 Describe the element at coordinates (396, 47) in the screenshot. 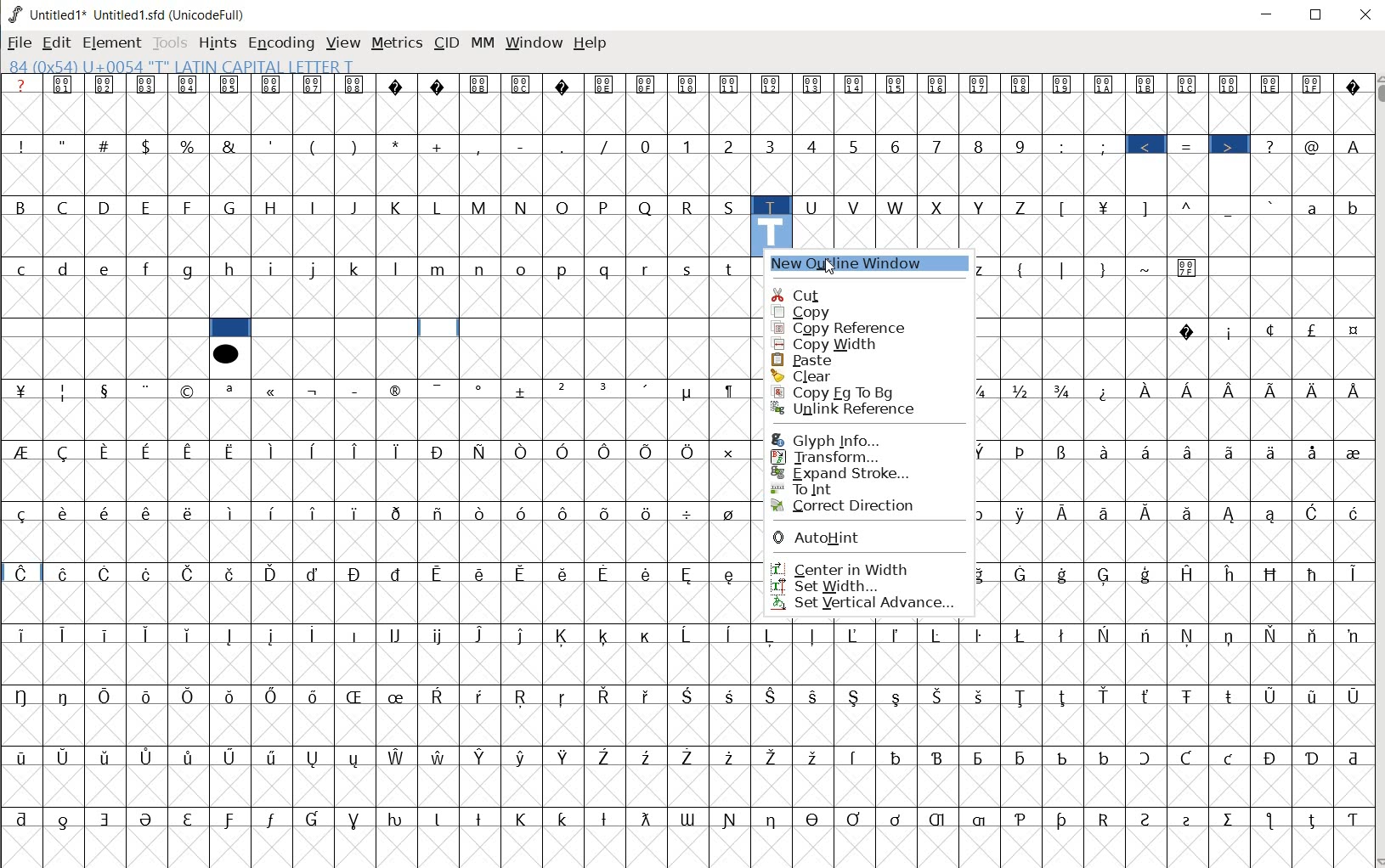

I see `metrics` at that location.